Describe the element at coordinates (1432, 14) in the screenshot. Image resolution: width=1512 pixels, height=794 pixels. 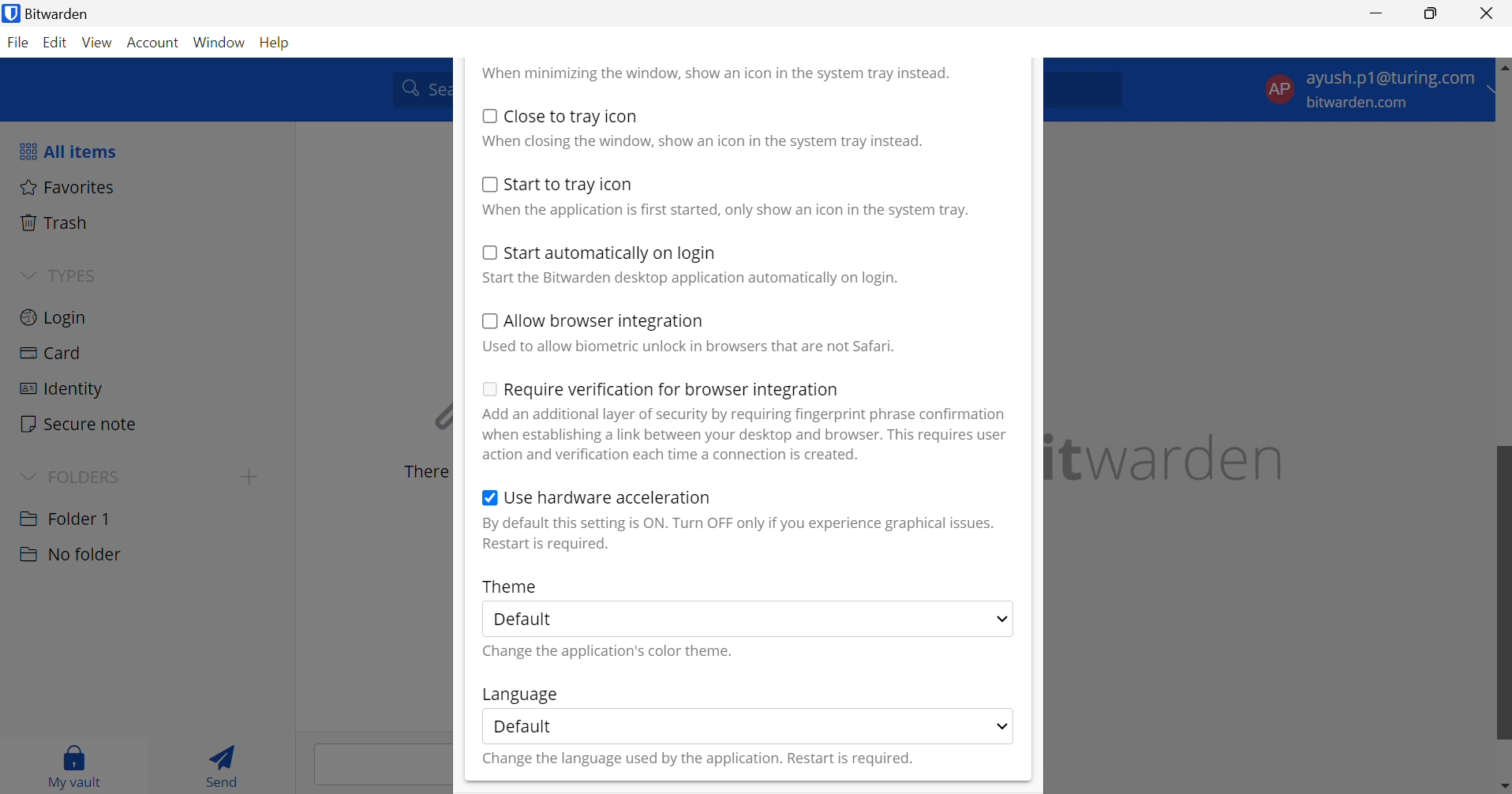
I see `Restore` at that location.